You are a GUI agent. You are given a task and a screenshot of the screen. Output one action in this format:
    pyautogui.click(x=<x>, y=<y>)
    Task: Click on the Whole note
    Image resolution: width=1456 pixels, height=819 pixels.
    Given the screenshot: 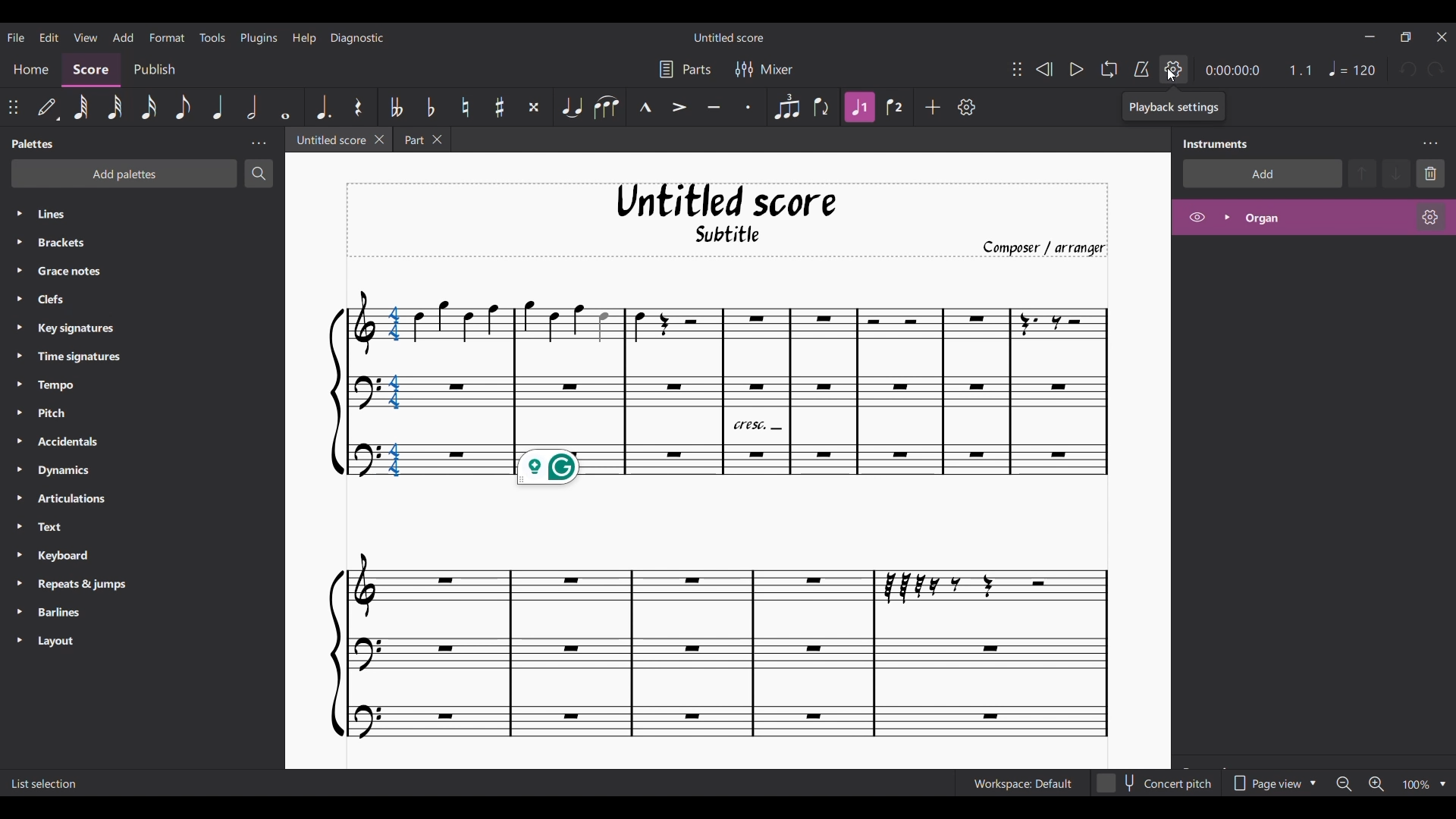 What is the action you would take?
    pyautogui.click(x=285, y=107)
    